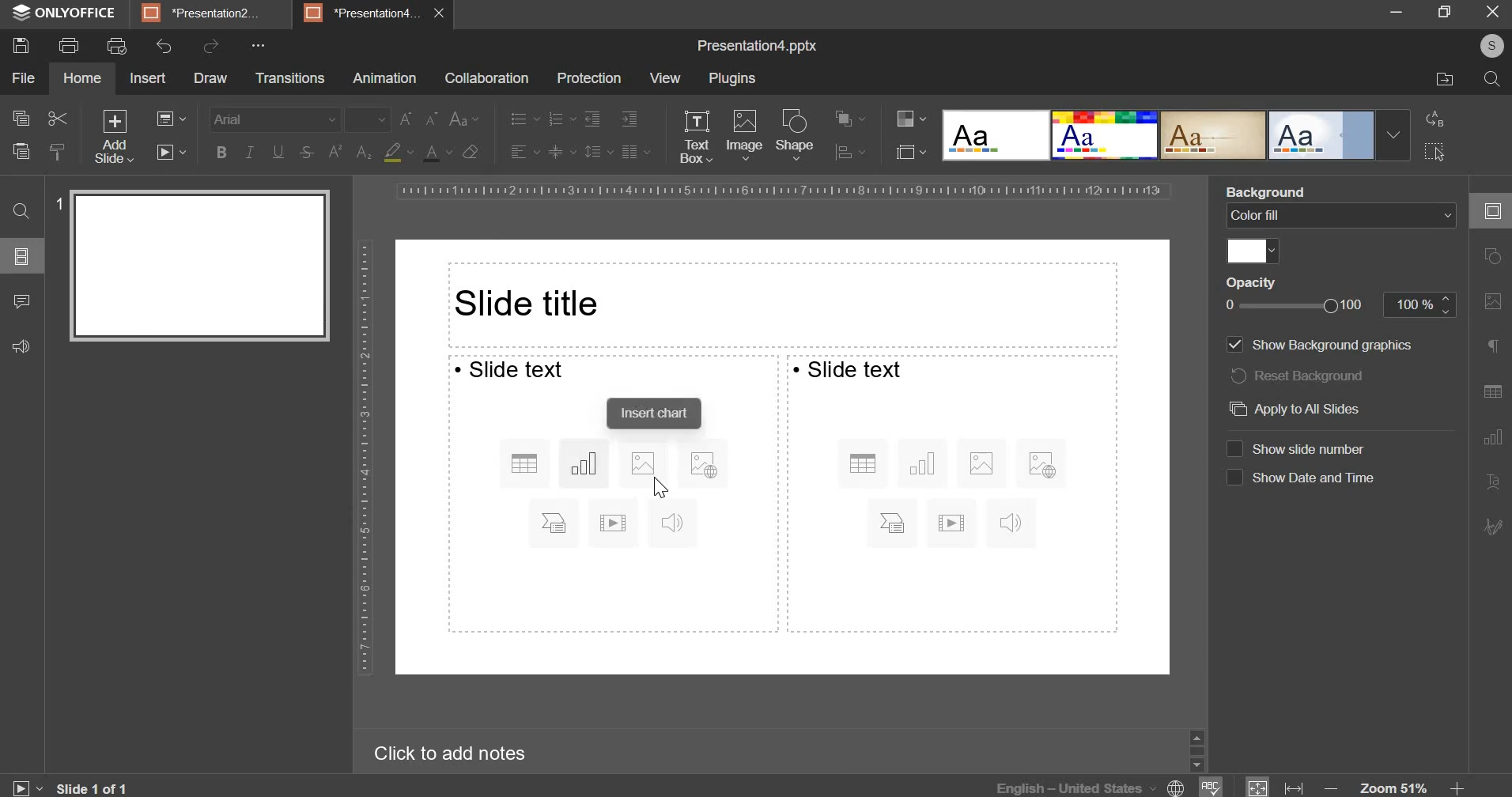 The image size is (1512, 797). I want to click on underline, so click(278, 151).